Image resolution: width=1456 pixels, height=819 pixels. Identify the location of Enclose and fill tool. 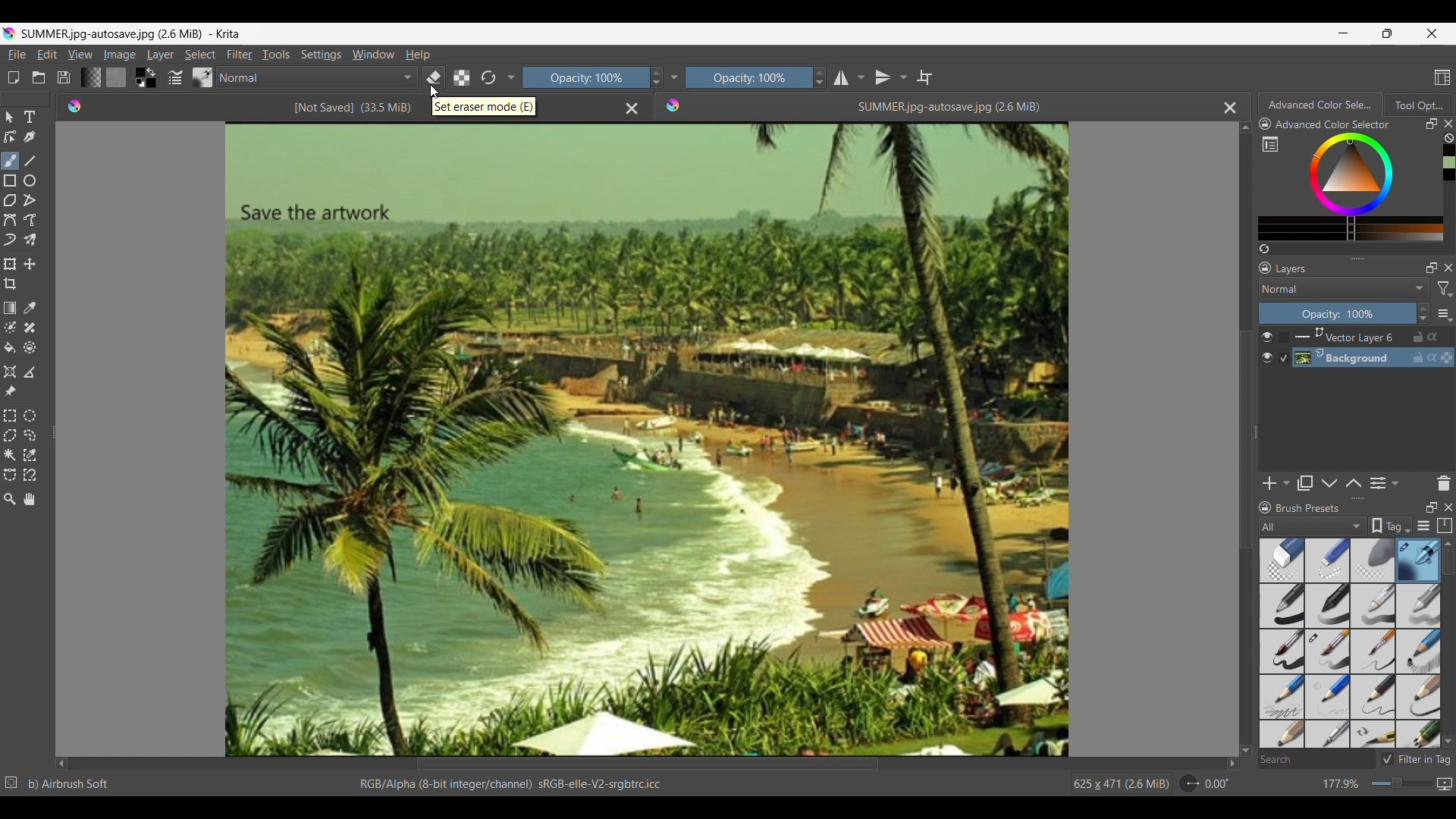
(30, 347).